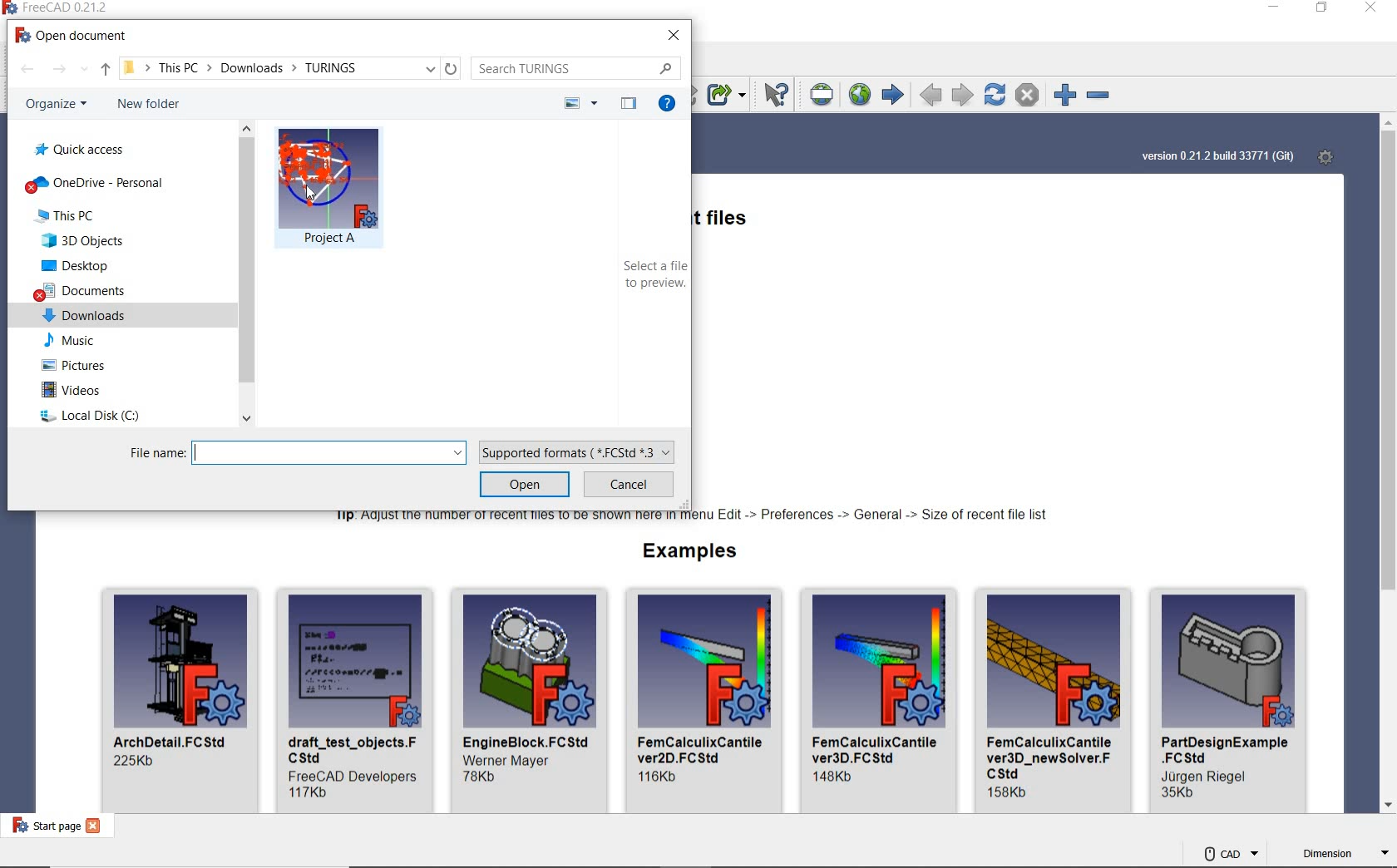  I want to click on MAKE SUB-LINK, so click(726, 96).